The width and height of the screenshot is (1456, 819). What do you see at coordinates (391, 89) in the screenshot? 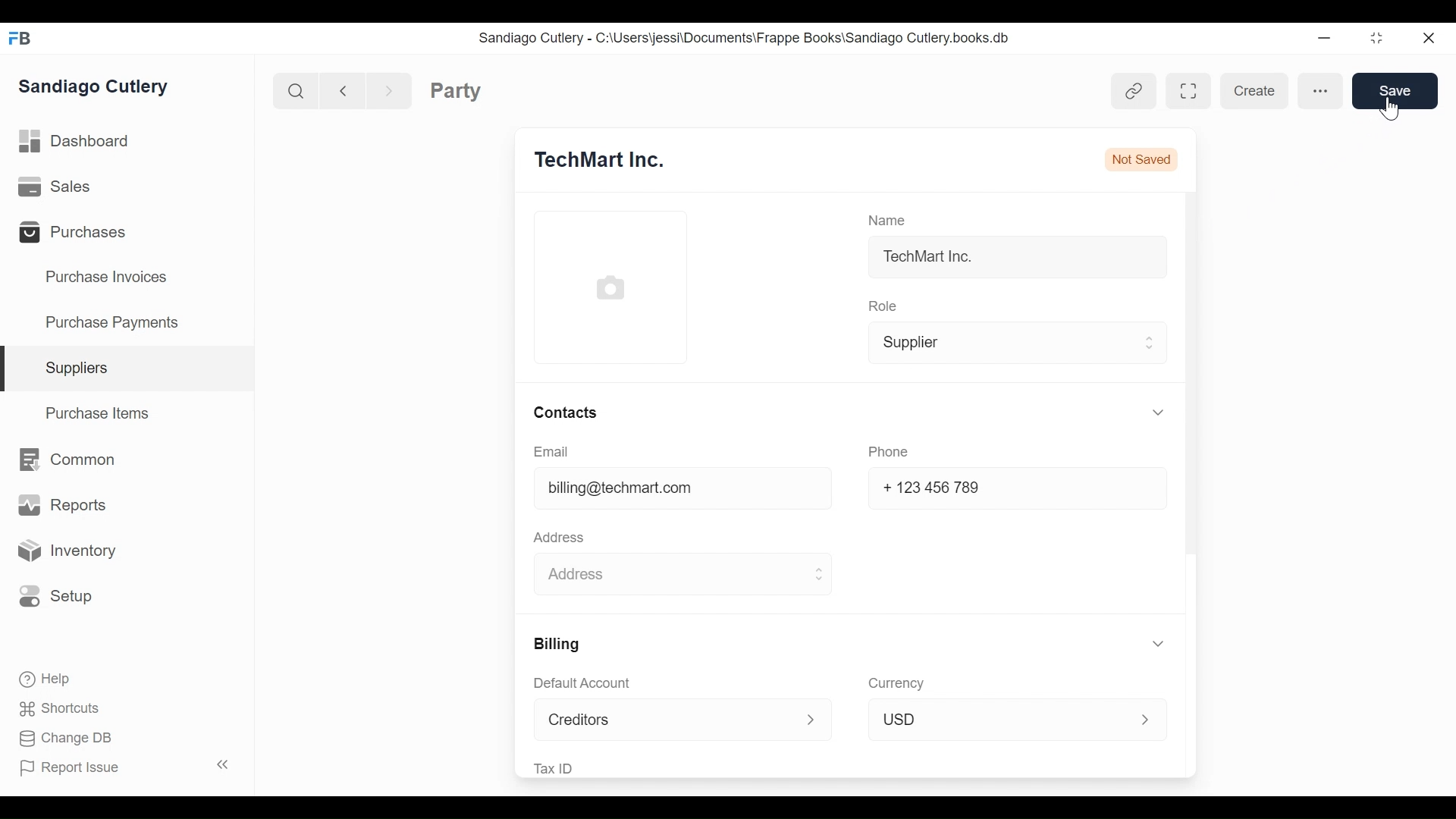
I see `next` at bounding box center [391, 89].